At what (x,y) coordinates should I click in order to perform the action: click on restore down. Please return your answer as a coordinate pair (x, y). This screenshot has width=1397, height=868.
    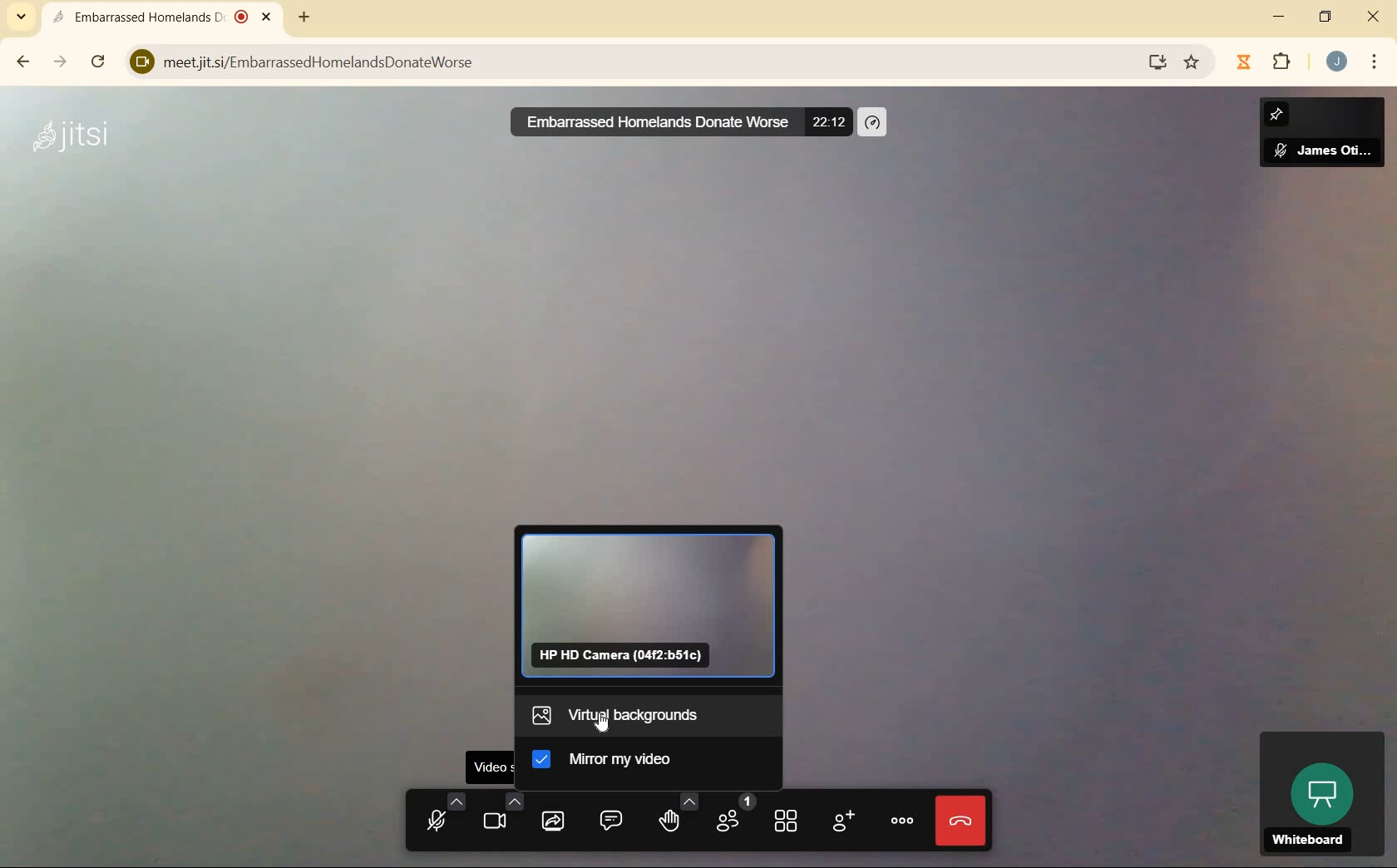
    Looking at the image, I should click on (1325, 16).